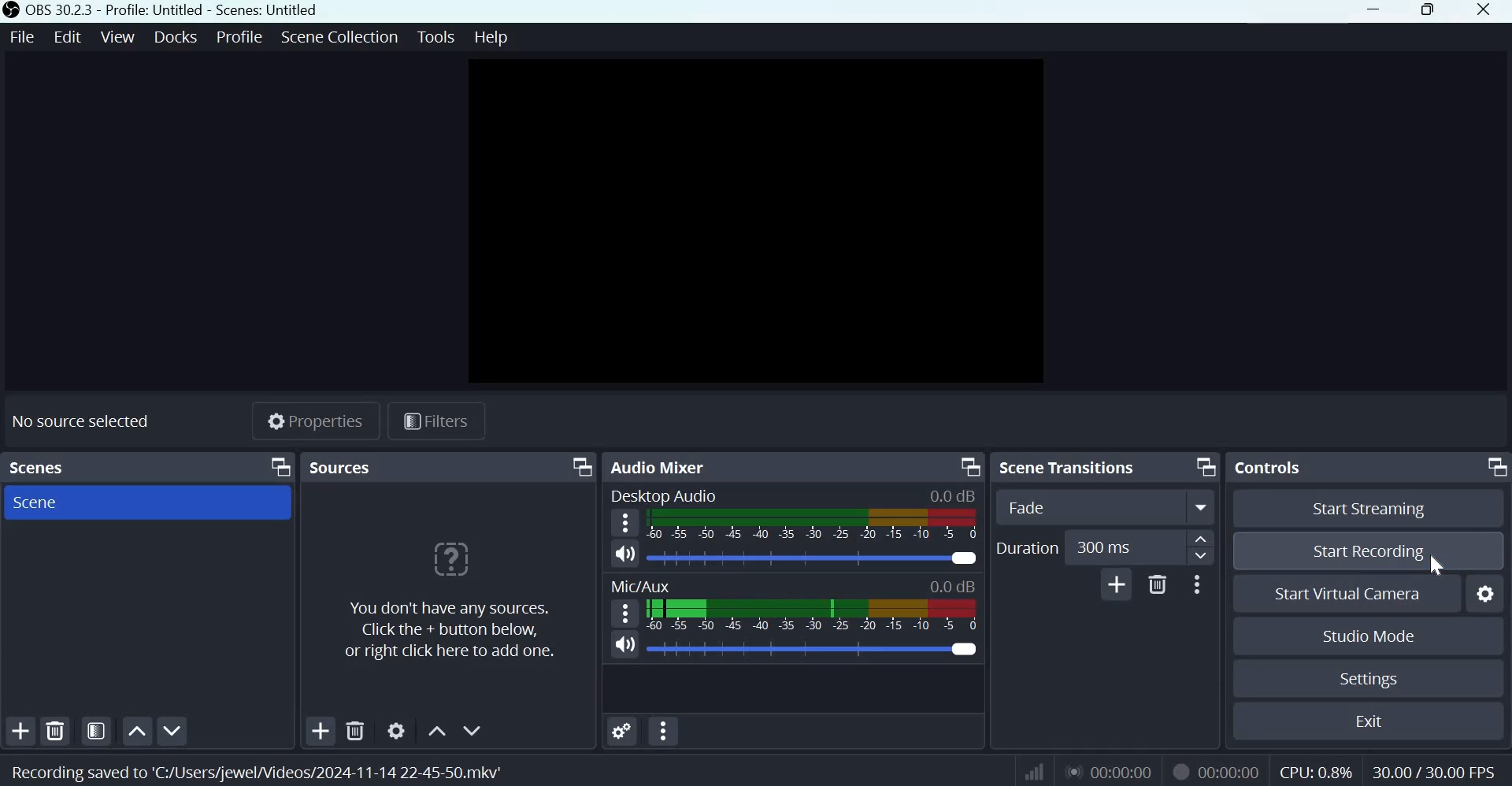 The image size is (1512, 786). Describe the element at coordinates (1368, 636) in the screenshot. I see `Studio mode` at that location.